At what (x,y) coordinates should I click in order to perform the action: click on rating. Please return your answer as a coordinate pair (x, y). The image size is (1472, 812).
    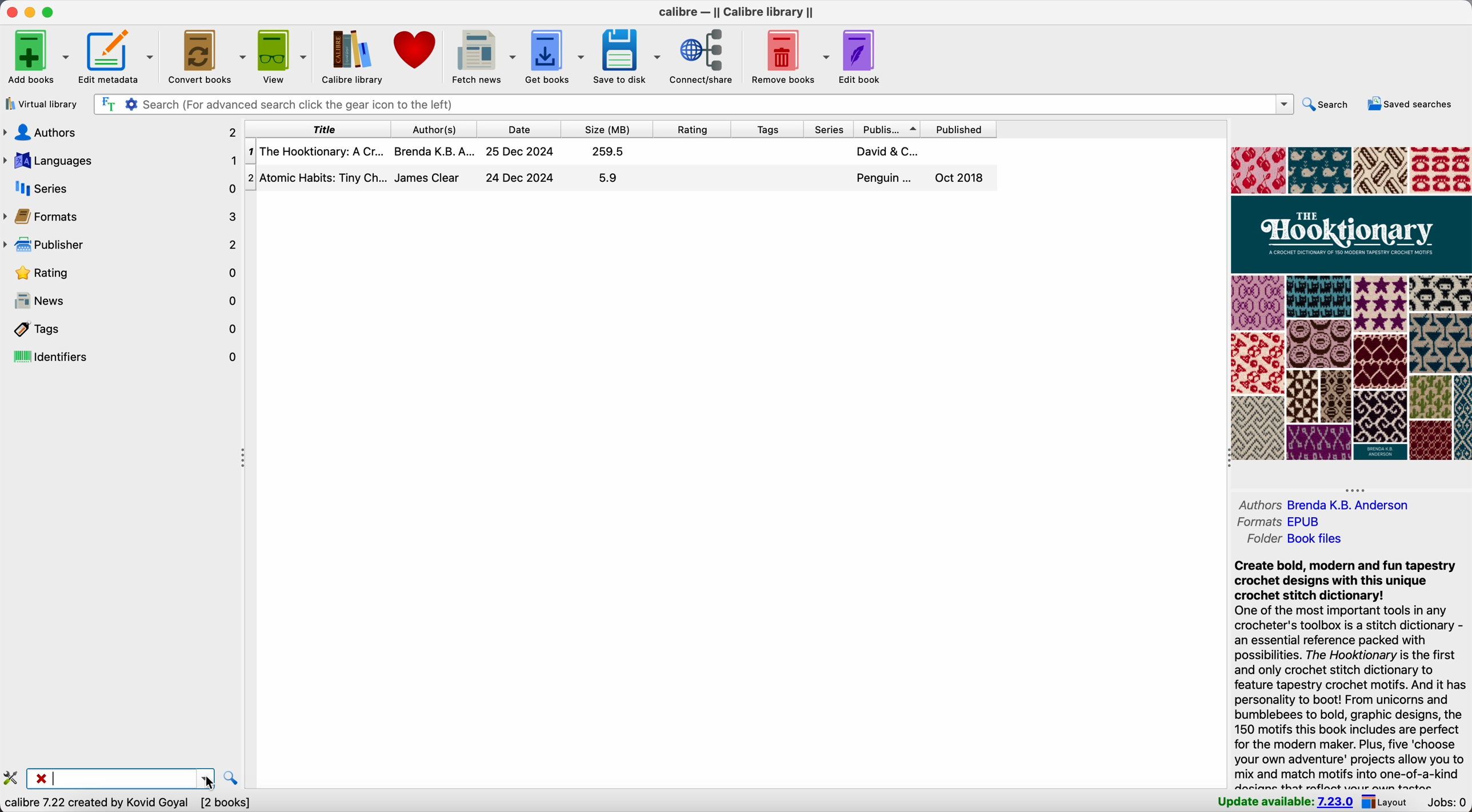
    Looking at the image, I should click on (122, 273).